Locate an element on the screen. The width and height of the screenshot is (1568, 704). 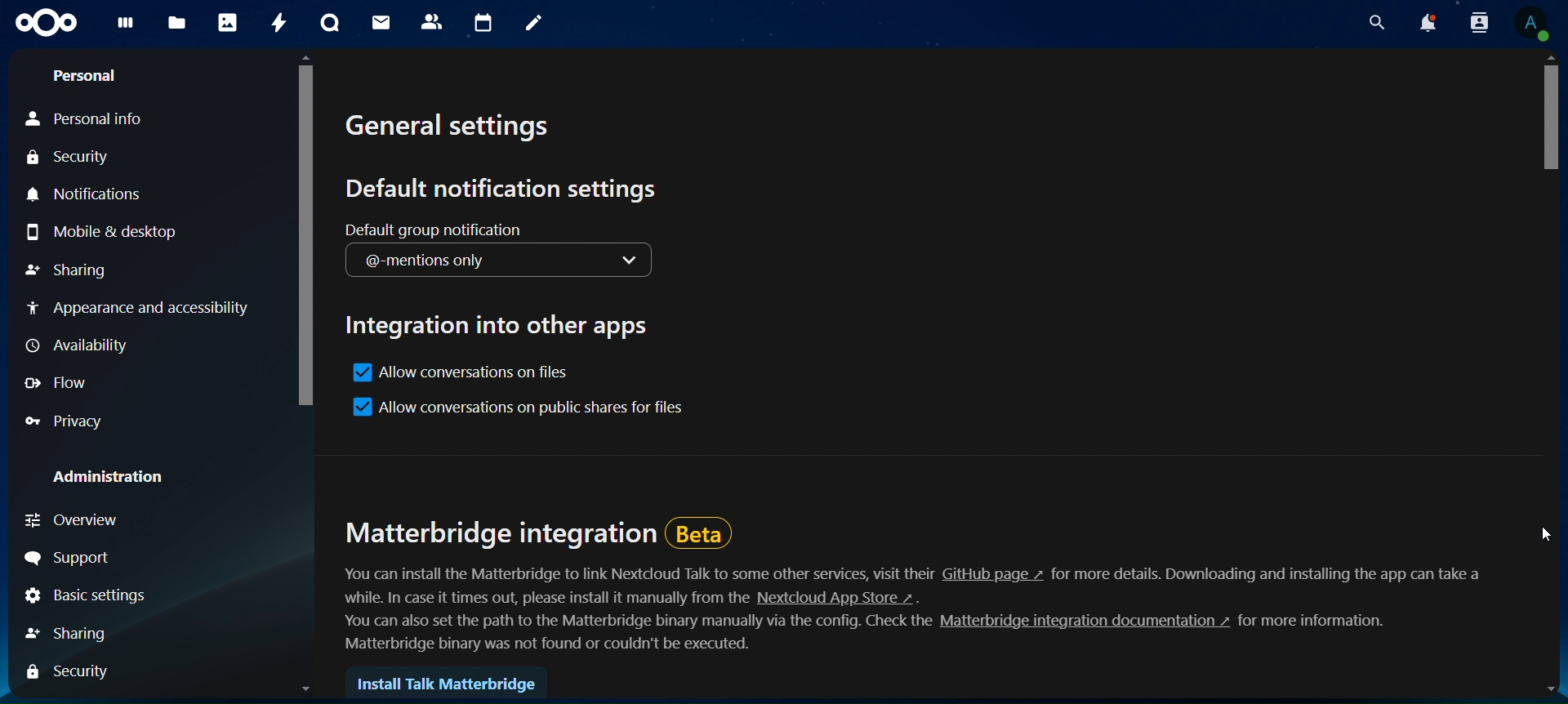
calendar is located at coordinates (485, 25).